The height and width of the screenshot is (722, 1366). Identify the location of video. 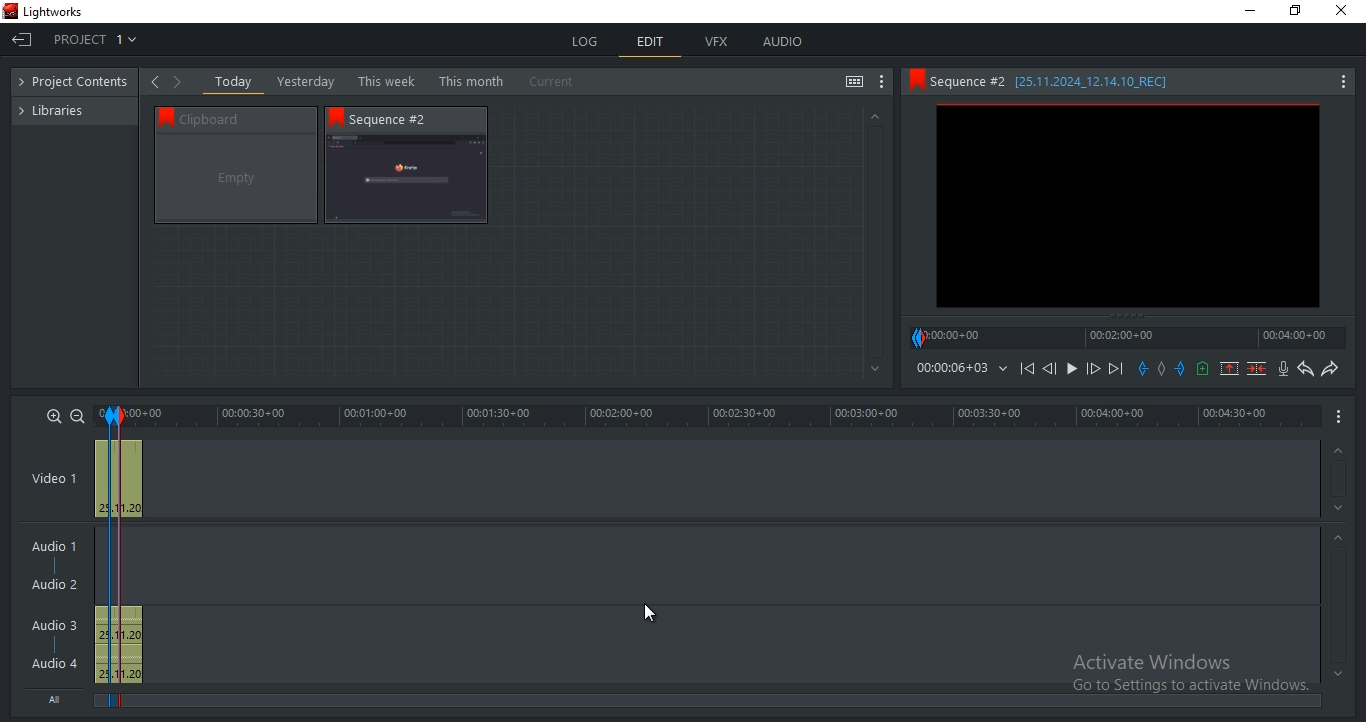
(119, 476).